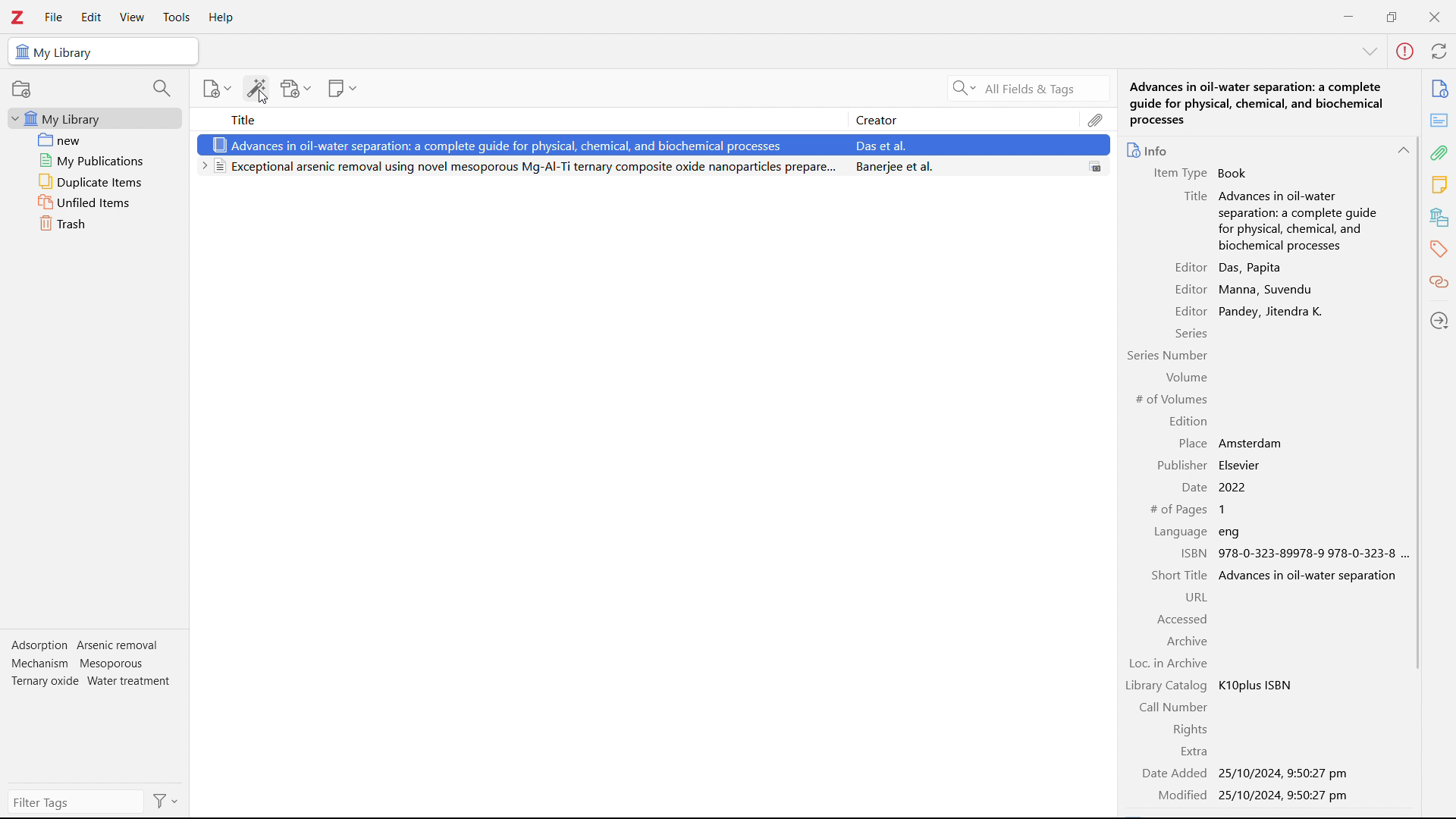 The width and height of the screenshot is (1456, 819). What do you see at coordinates (1181, 576) in the screenshot?
I see `Short title ` at bounding box center [1181, 576].